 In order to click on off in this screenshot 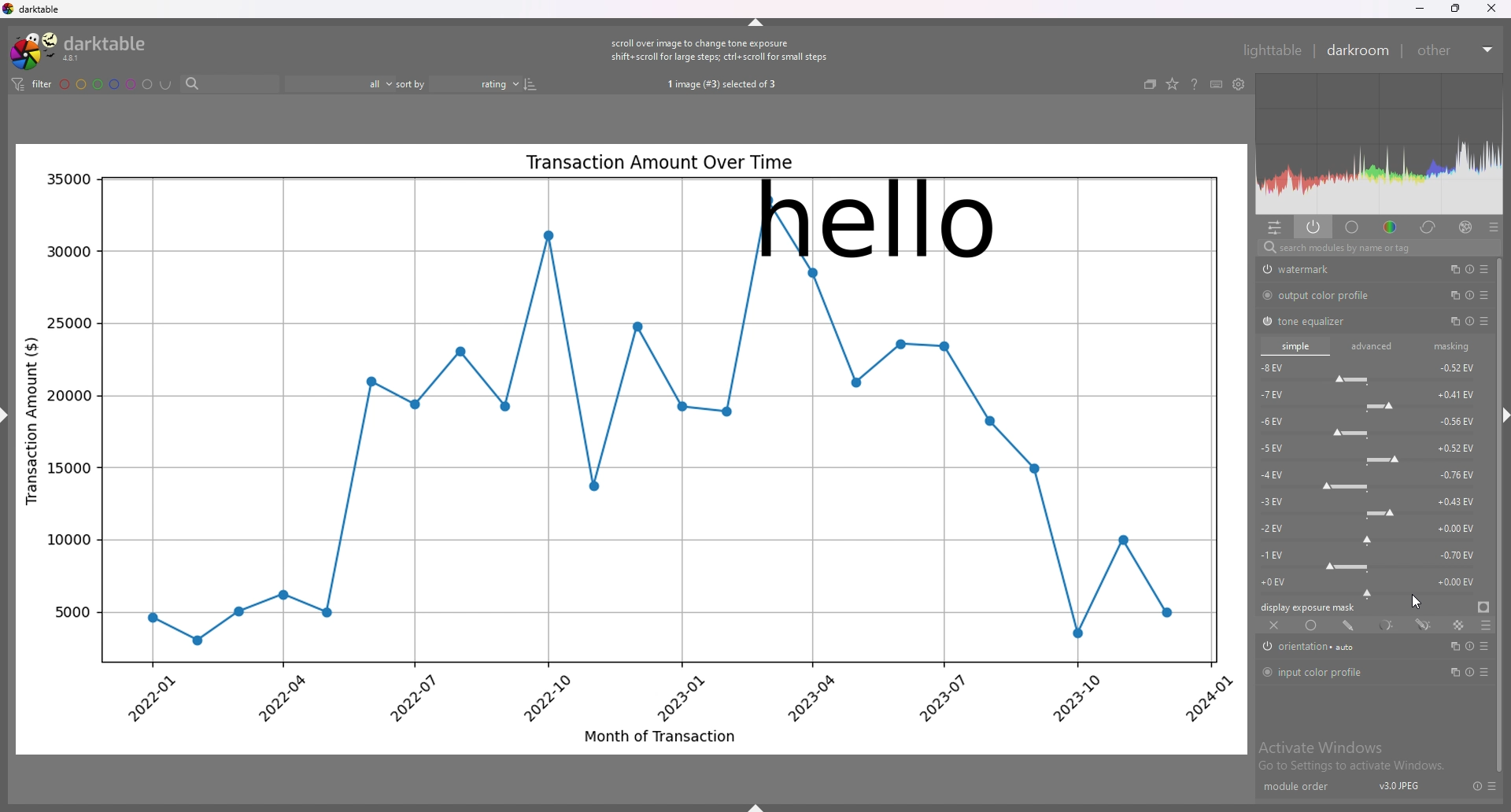, I will do `click(1274, 626)`.